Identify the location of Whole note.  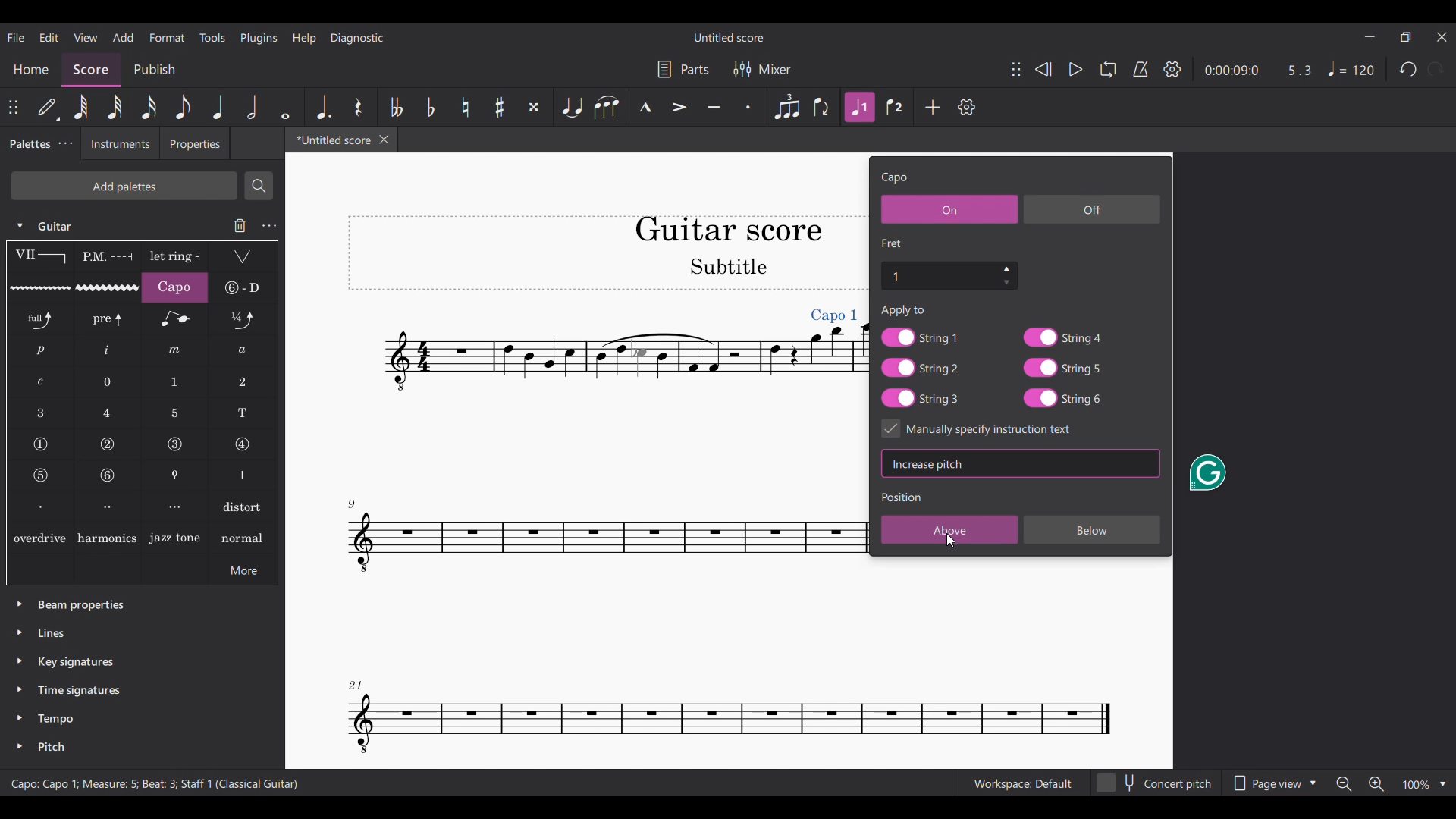
(285, 107).